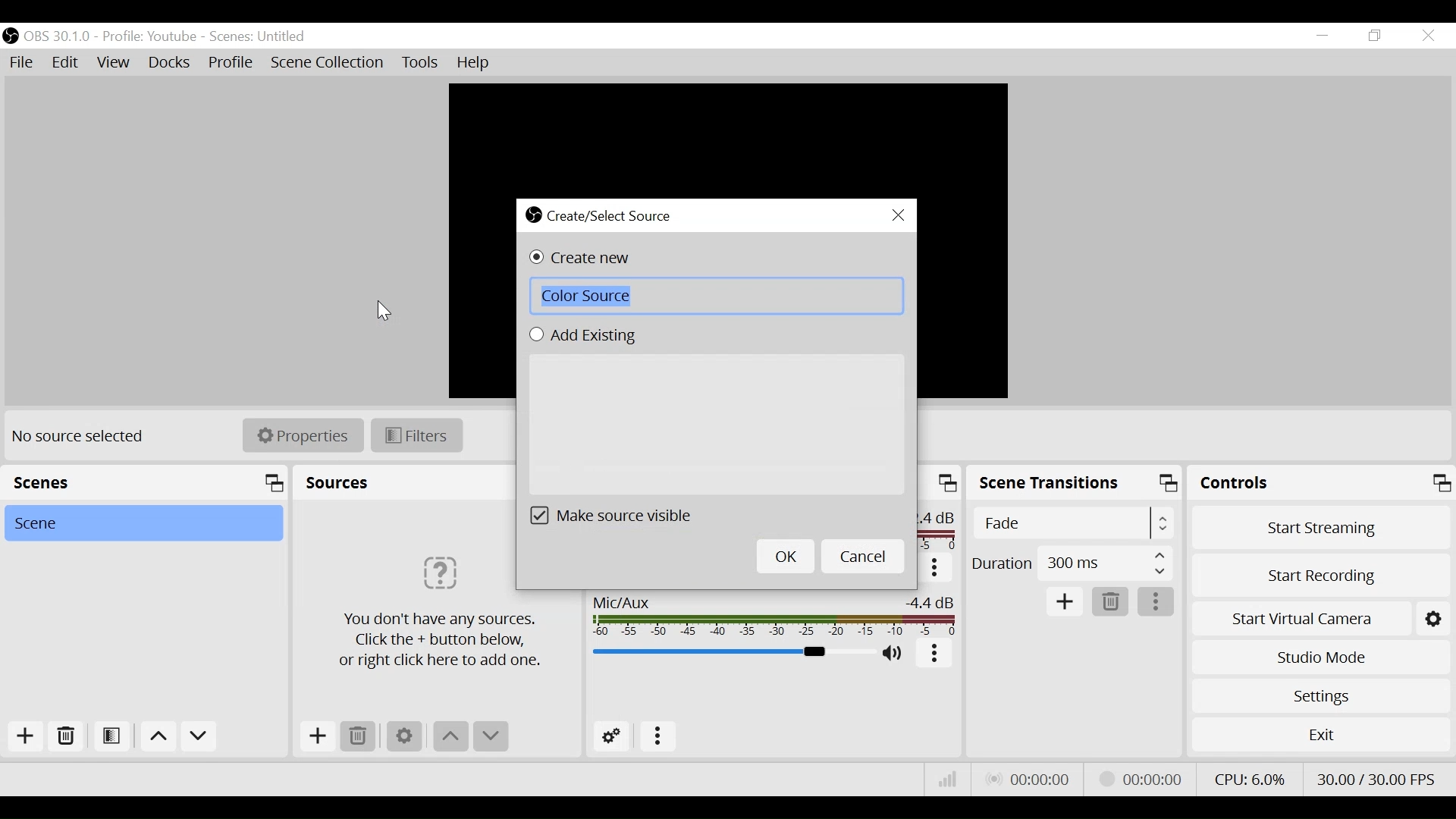  I want to click on Create/Select Source, so click(606, 216).